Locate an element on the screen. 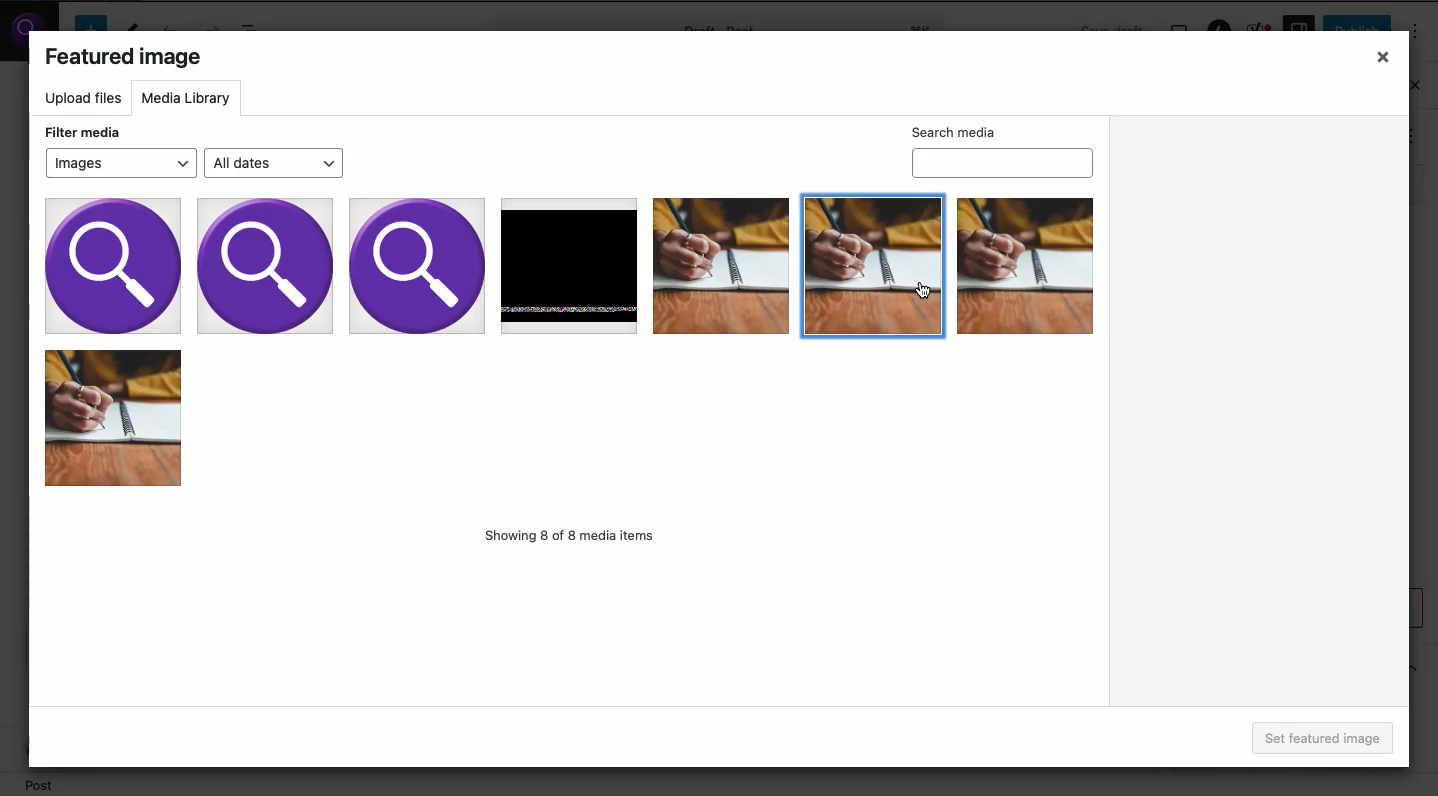 The image size is (1438, 796). Image is located at coordinates (720, 265).